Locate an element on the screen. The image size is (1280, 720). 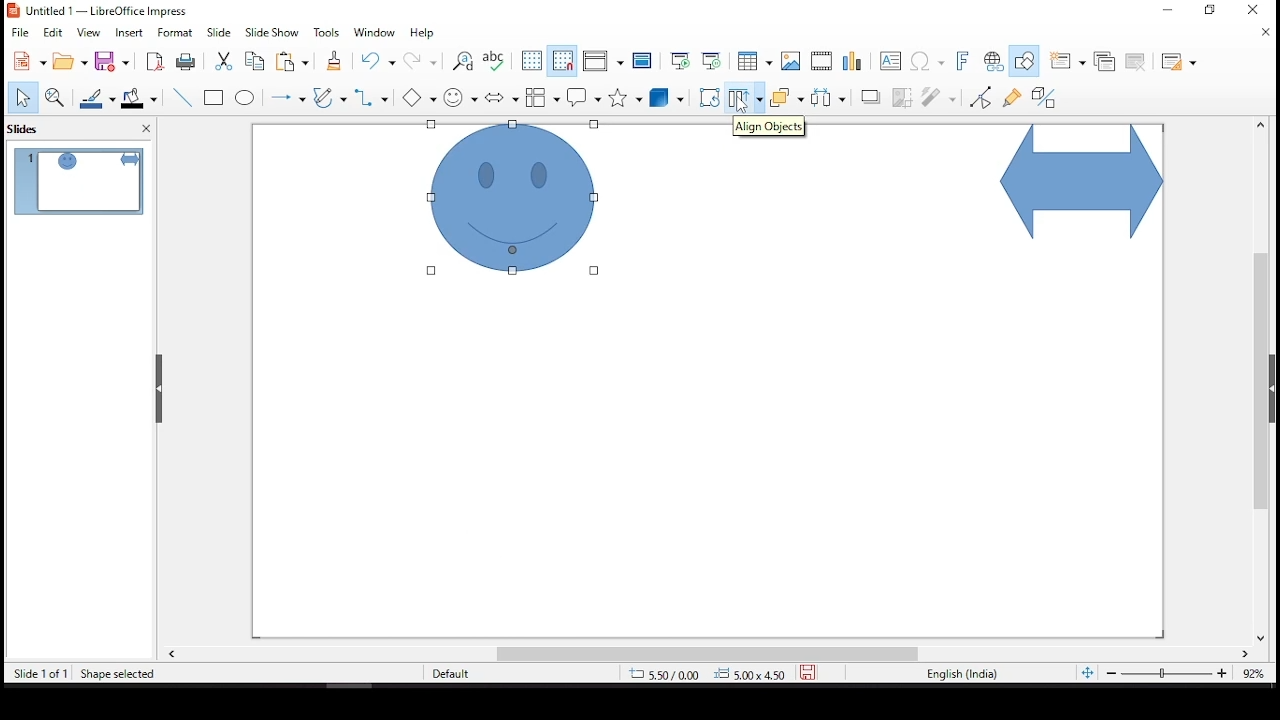
shape selected is located at coordinates (118, 672).